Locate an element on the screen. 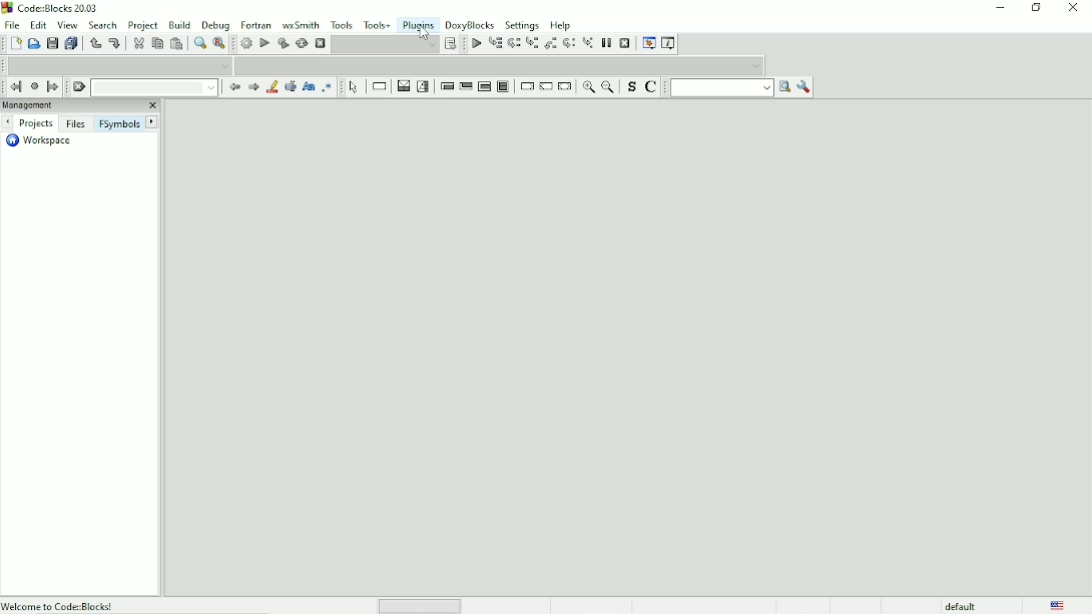 This screenshot has height=614, width=1092. View is located at coordinates (67, 25).